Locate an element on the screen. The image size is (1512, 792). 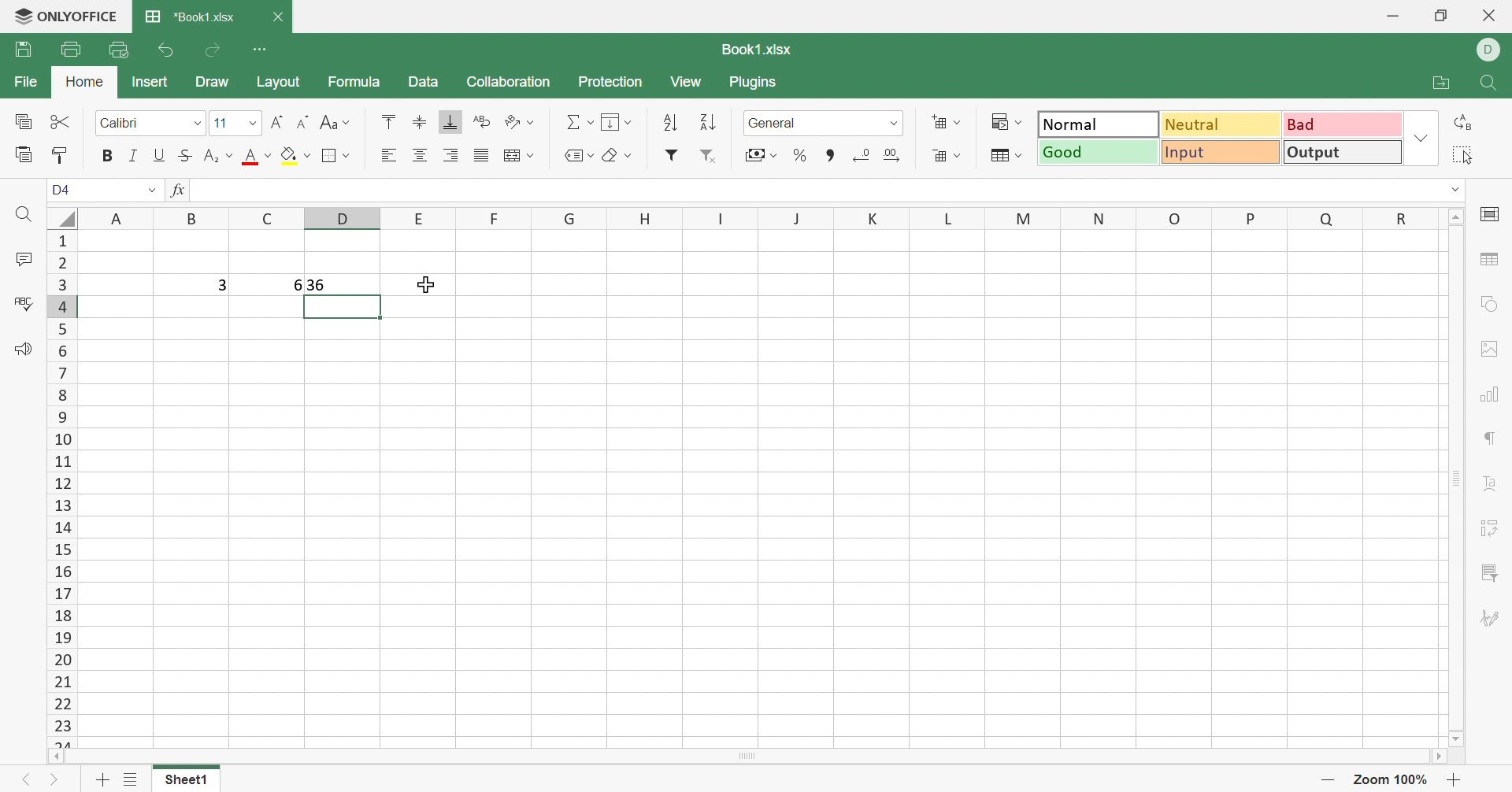
Conditional formatting is located at coordinates (1007, 123).